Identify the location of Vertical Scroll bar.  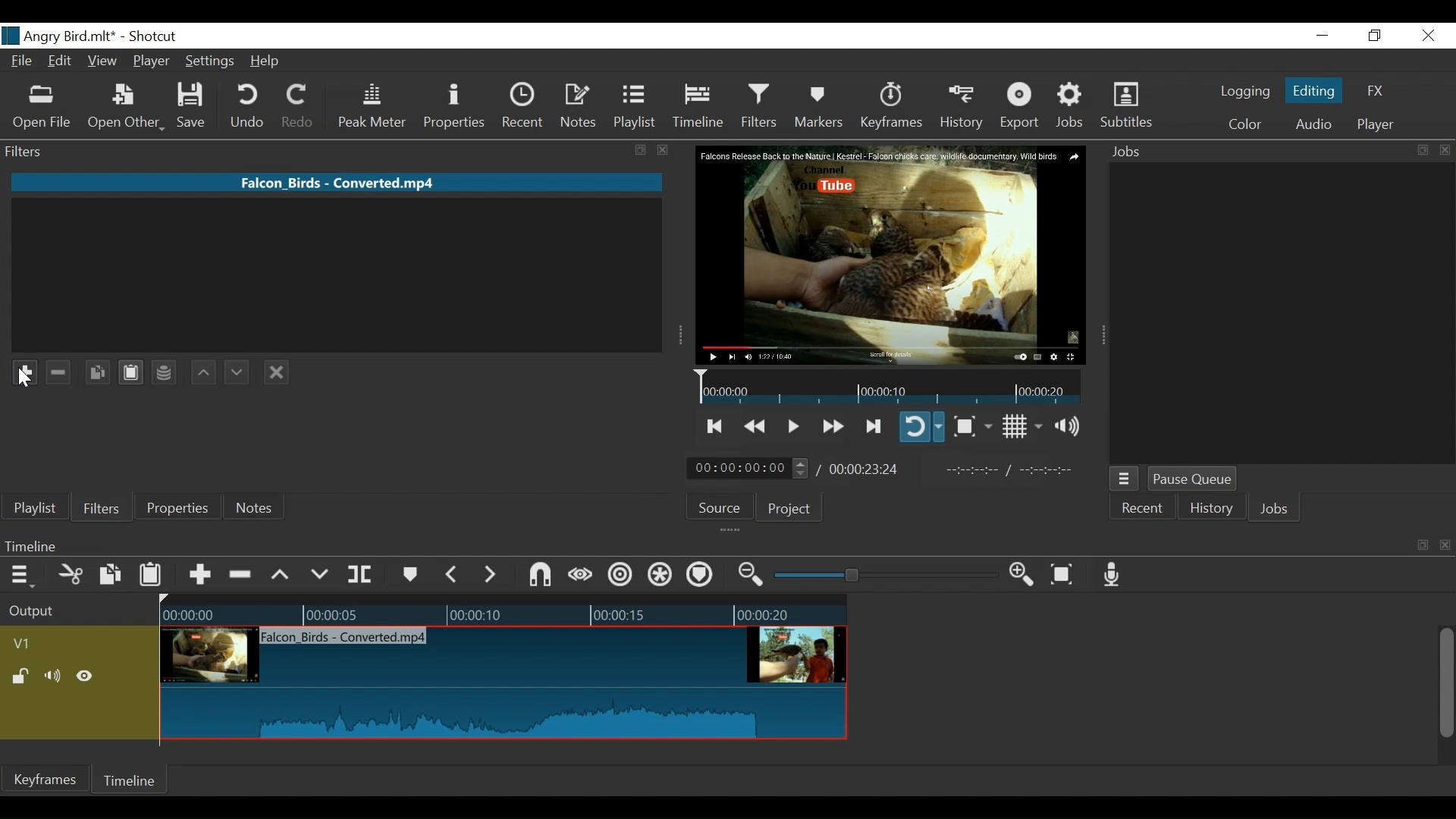
(1445, 685).